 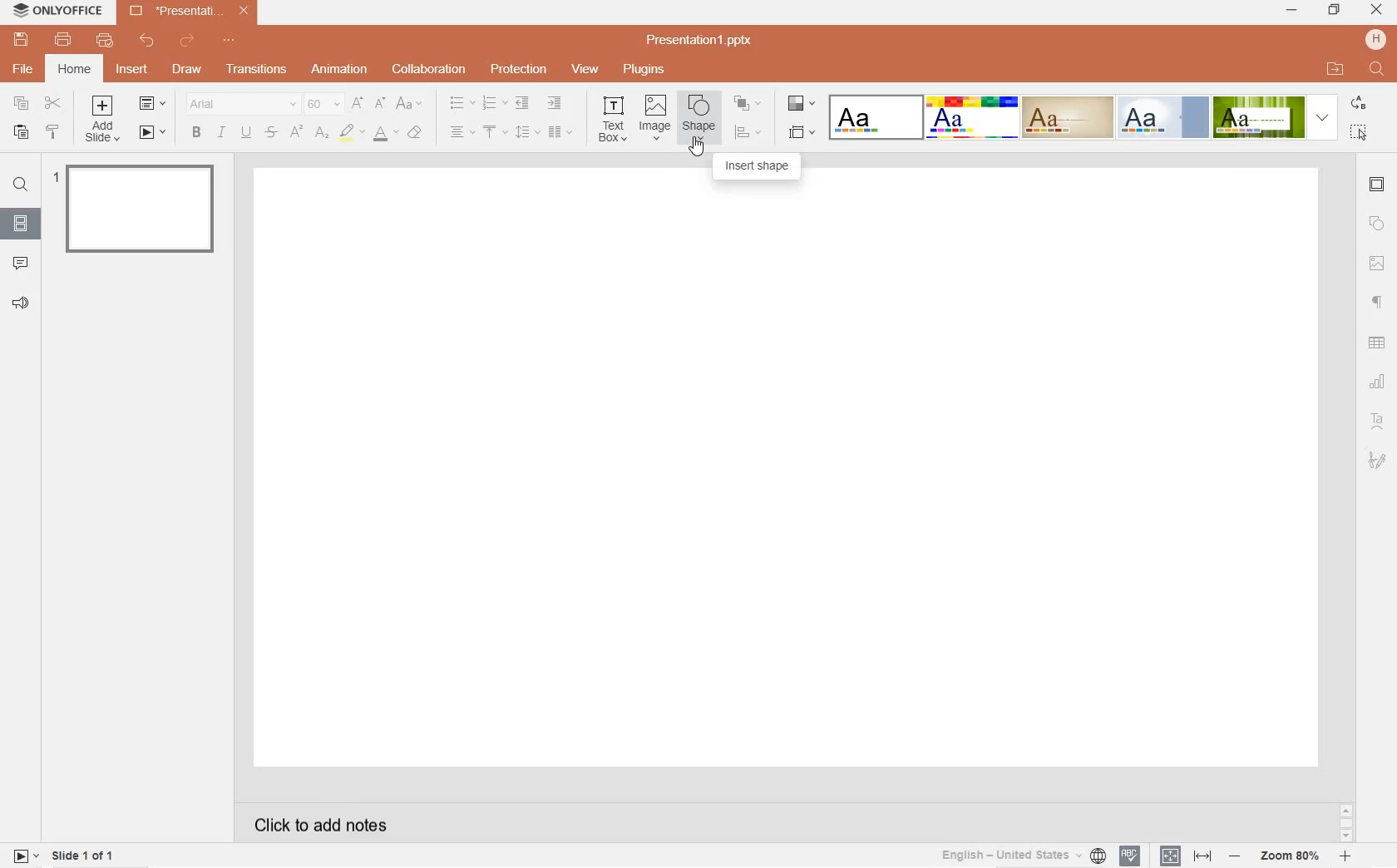 What do you see at coordinates (314, 823) in the screenshot?
I see `click to add notes` at bounding box center [314, 823].